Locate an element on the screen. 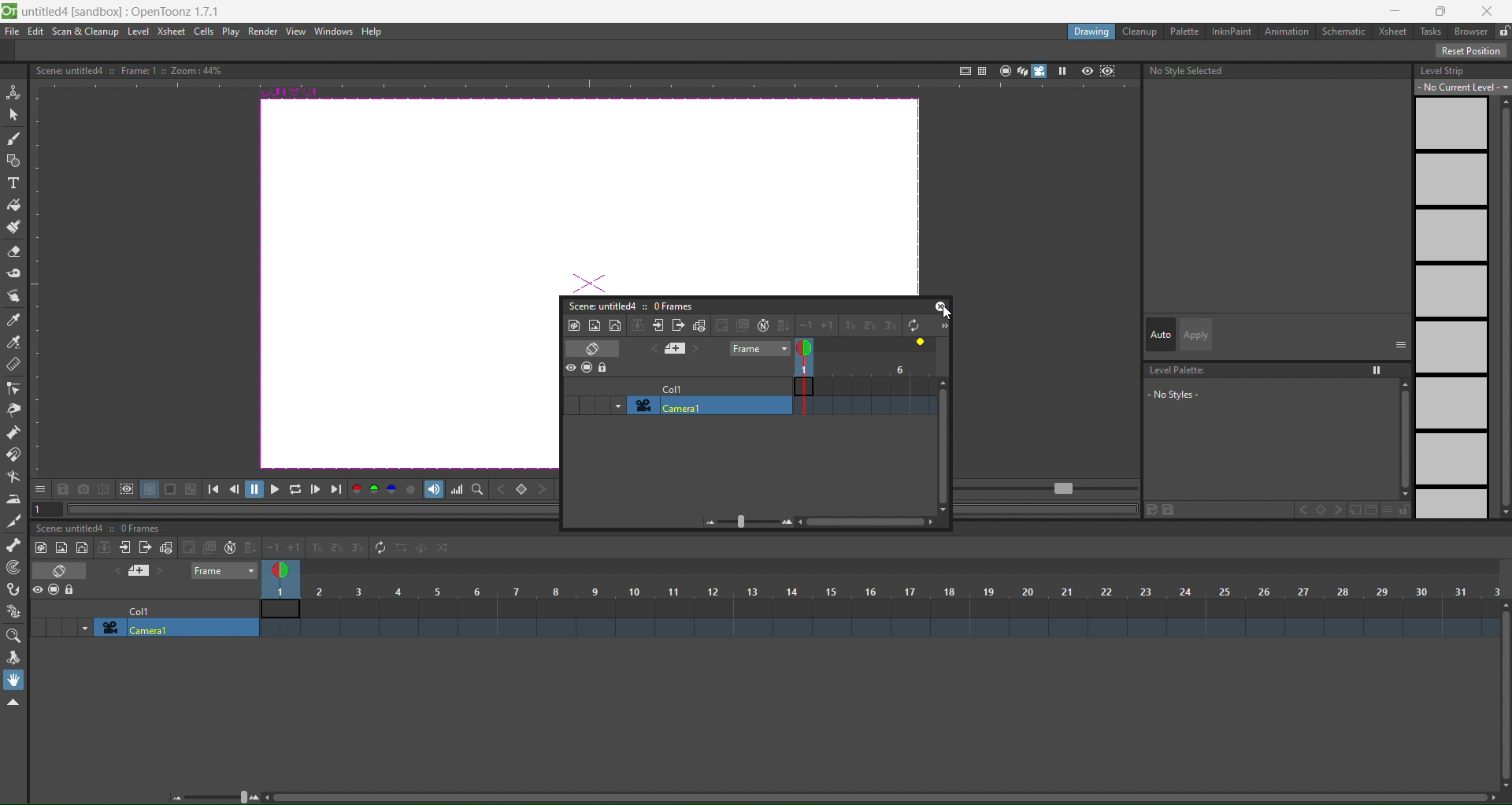 Image resolution: width=1512 pixels, height=805 pixels. close sub xsheet is located at coordinates (124, 547).